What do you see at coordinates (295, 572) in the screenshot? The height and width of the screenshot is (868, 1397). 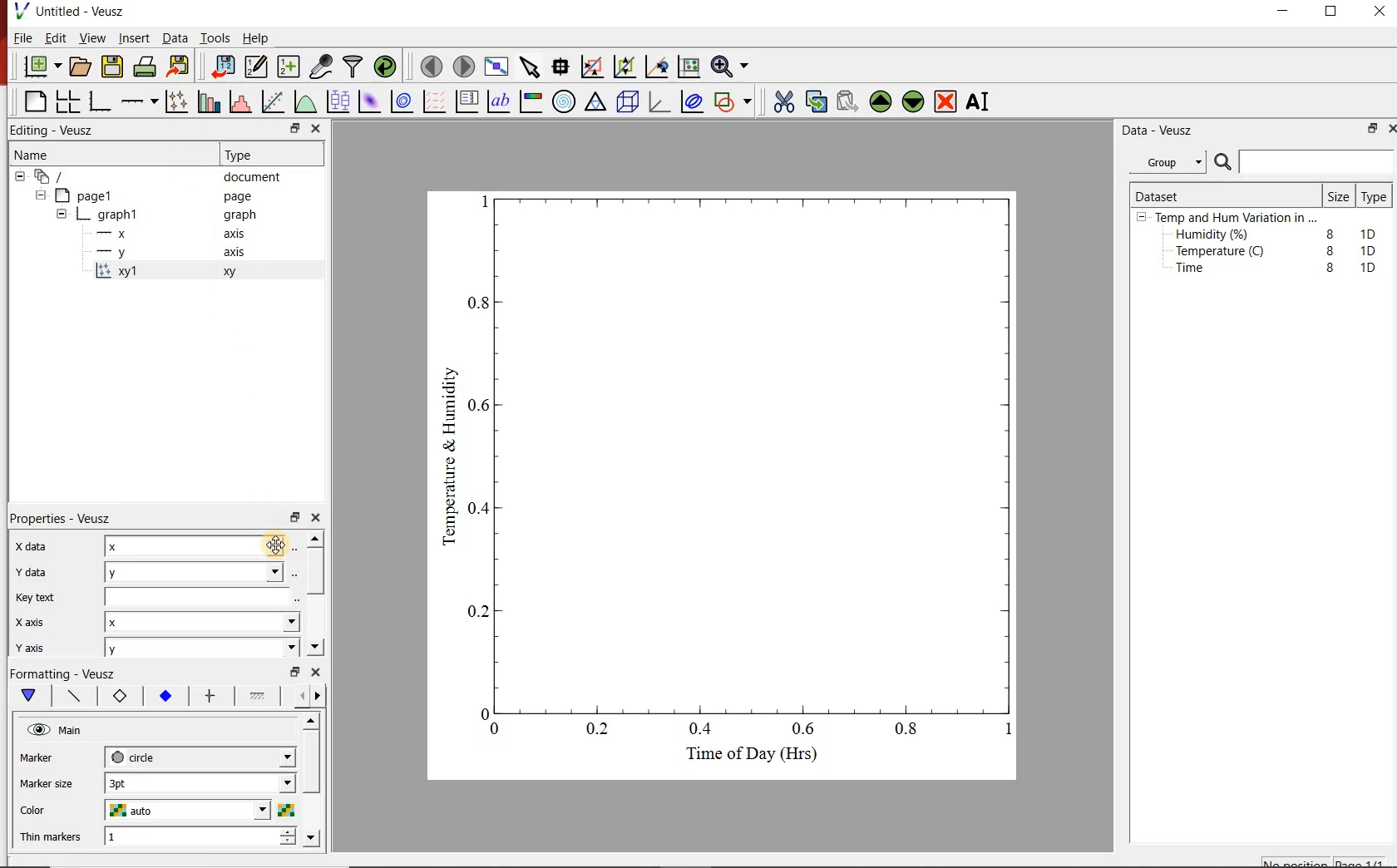 I see `Select using dataset browser` at bounding box center [295, 572].